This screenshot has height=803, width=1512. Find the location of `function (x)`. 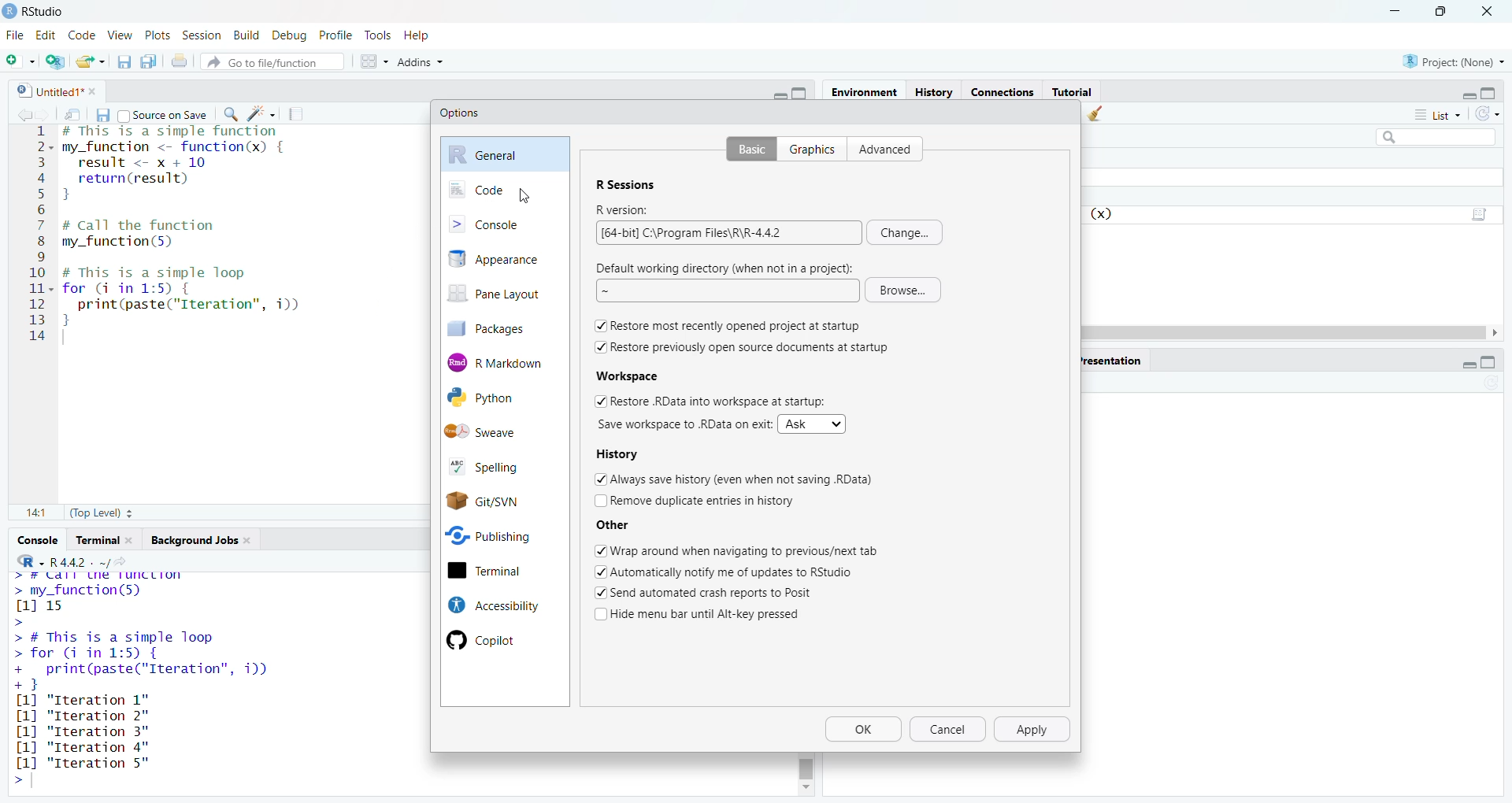

function (x) is located at coordinates (1103, 214).